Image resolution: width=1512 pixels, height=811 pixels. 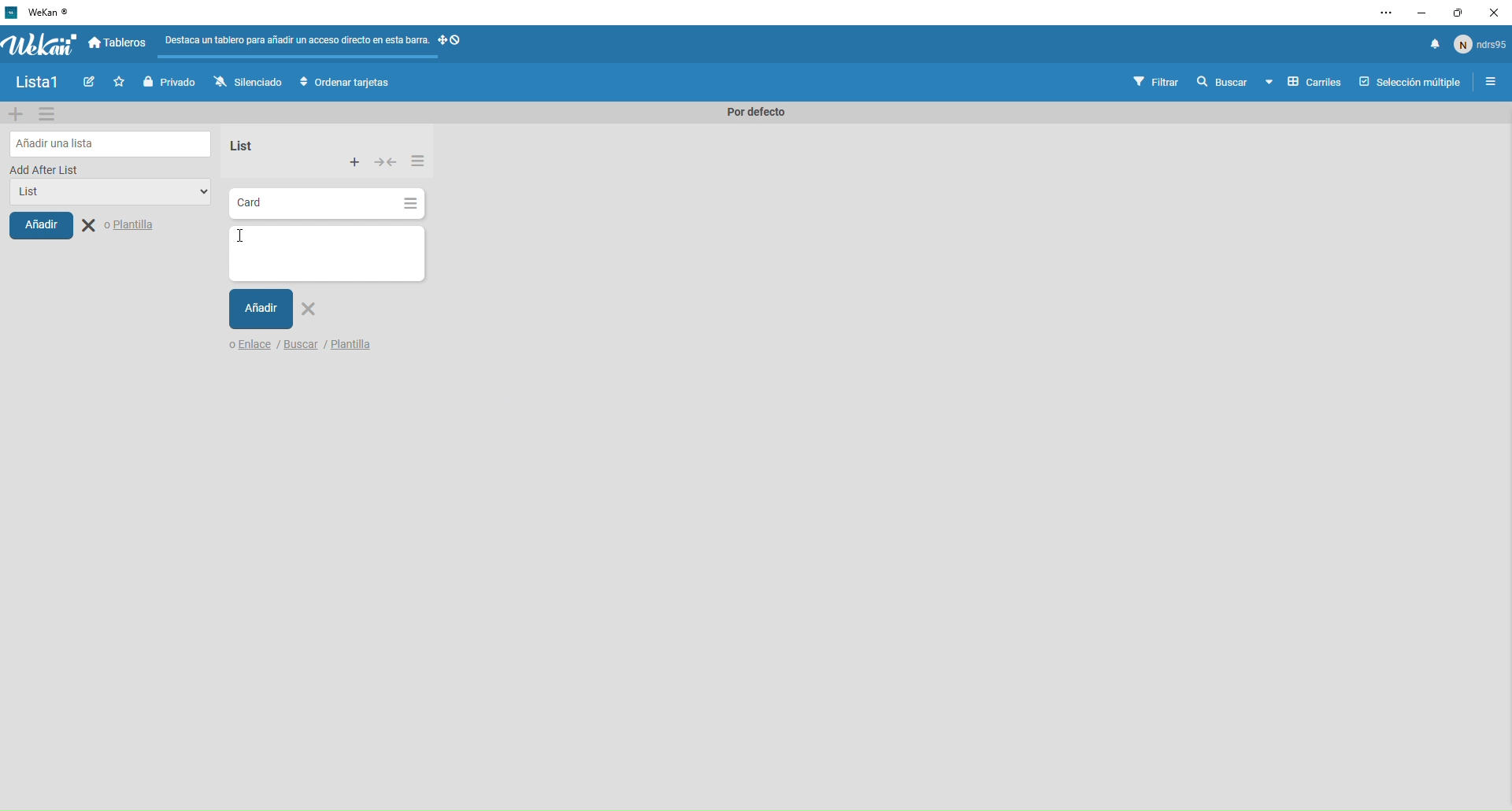 What do you see at coordinates (410, 206) in the screenshot?
I see `card options` at bounding box center [410, 206].